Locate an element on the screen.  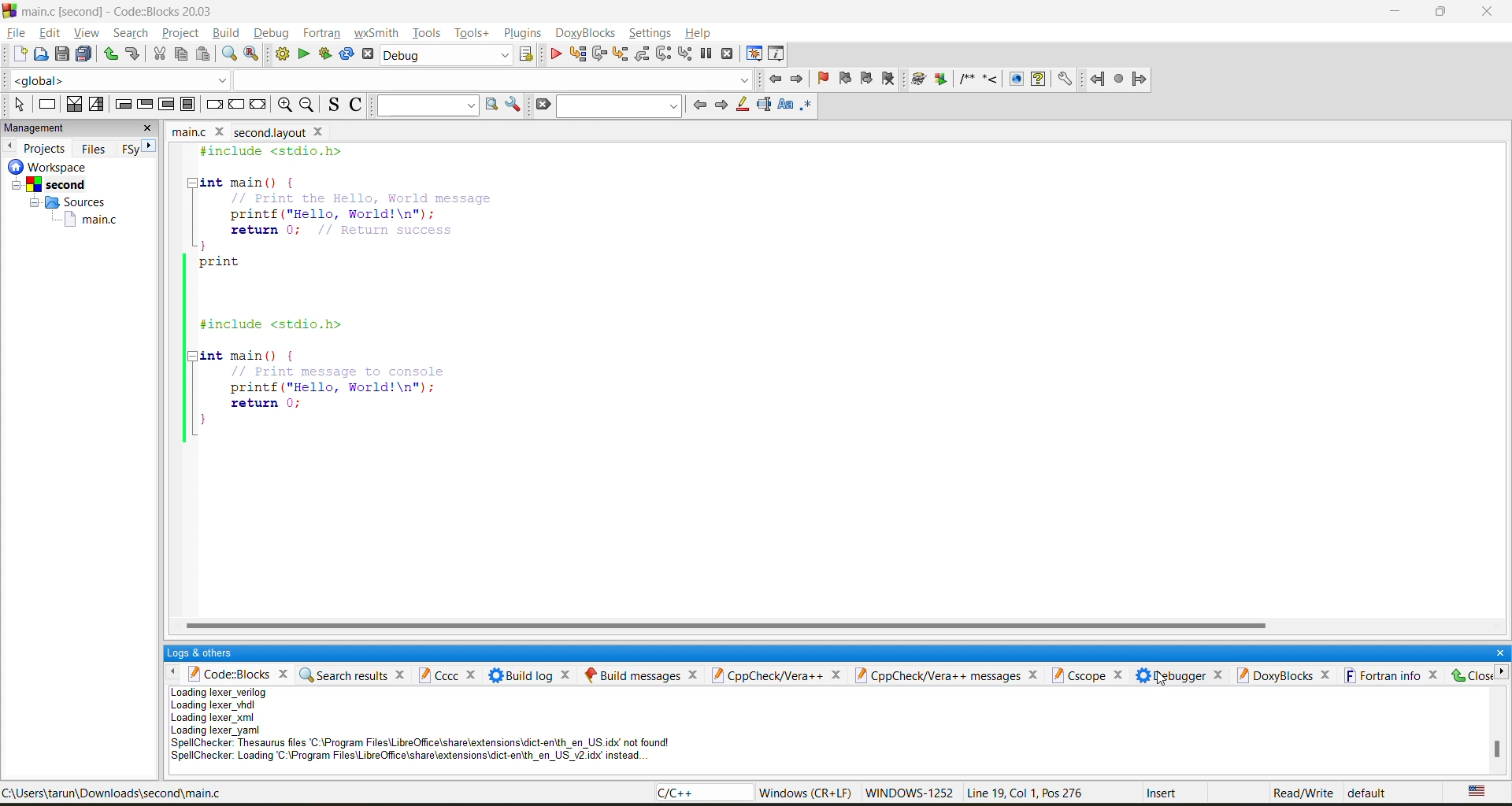
cppcheck/vera++ messages is located at coordinates (951, 675).